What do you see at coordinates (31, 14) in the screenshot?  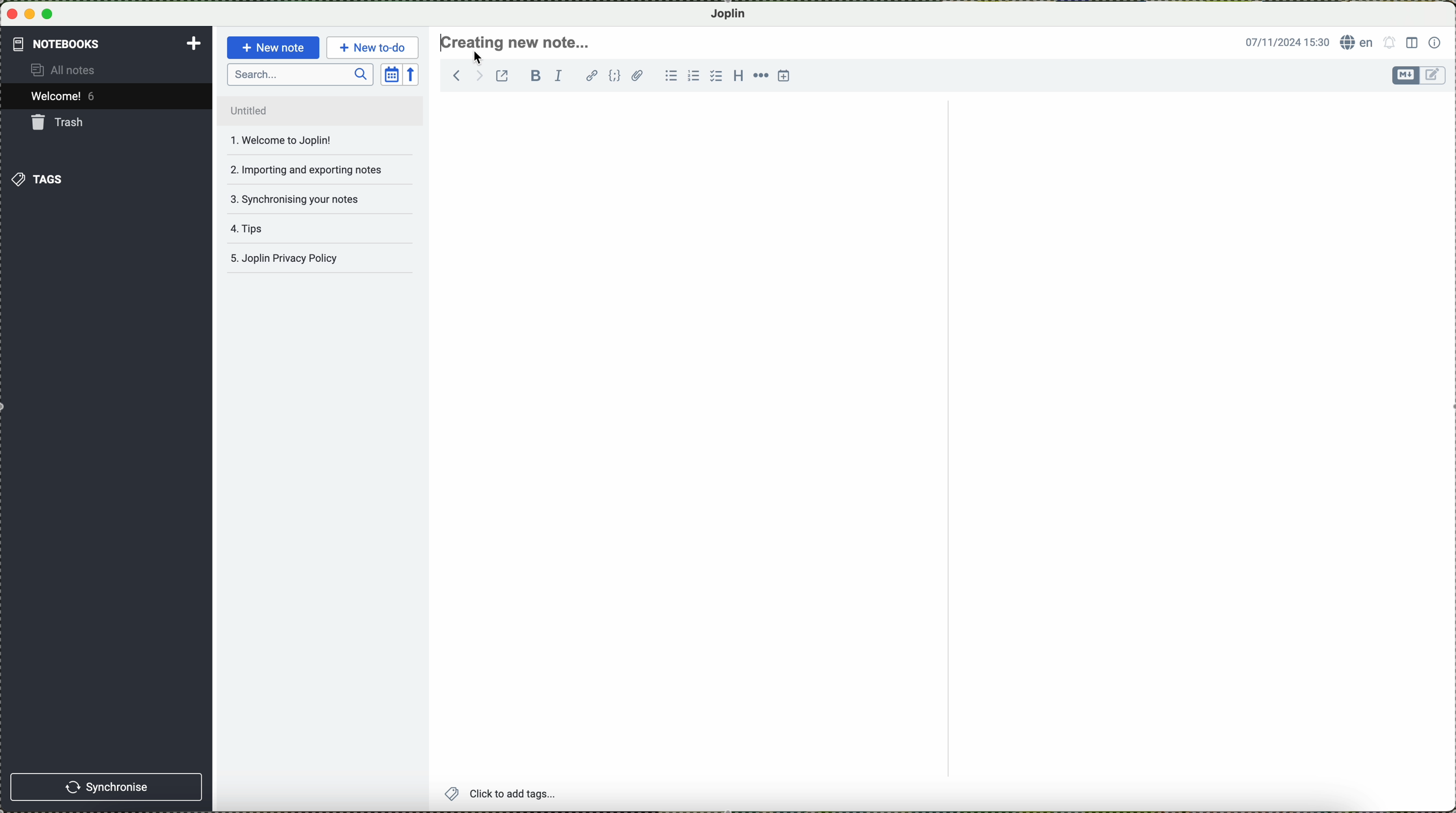 I see `minimize` at bounding box center [31, 14].